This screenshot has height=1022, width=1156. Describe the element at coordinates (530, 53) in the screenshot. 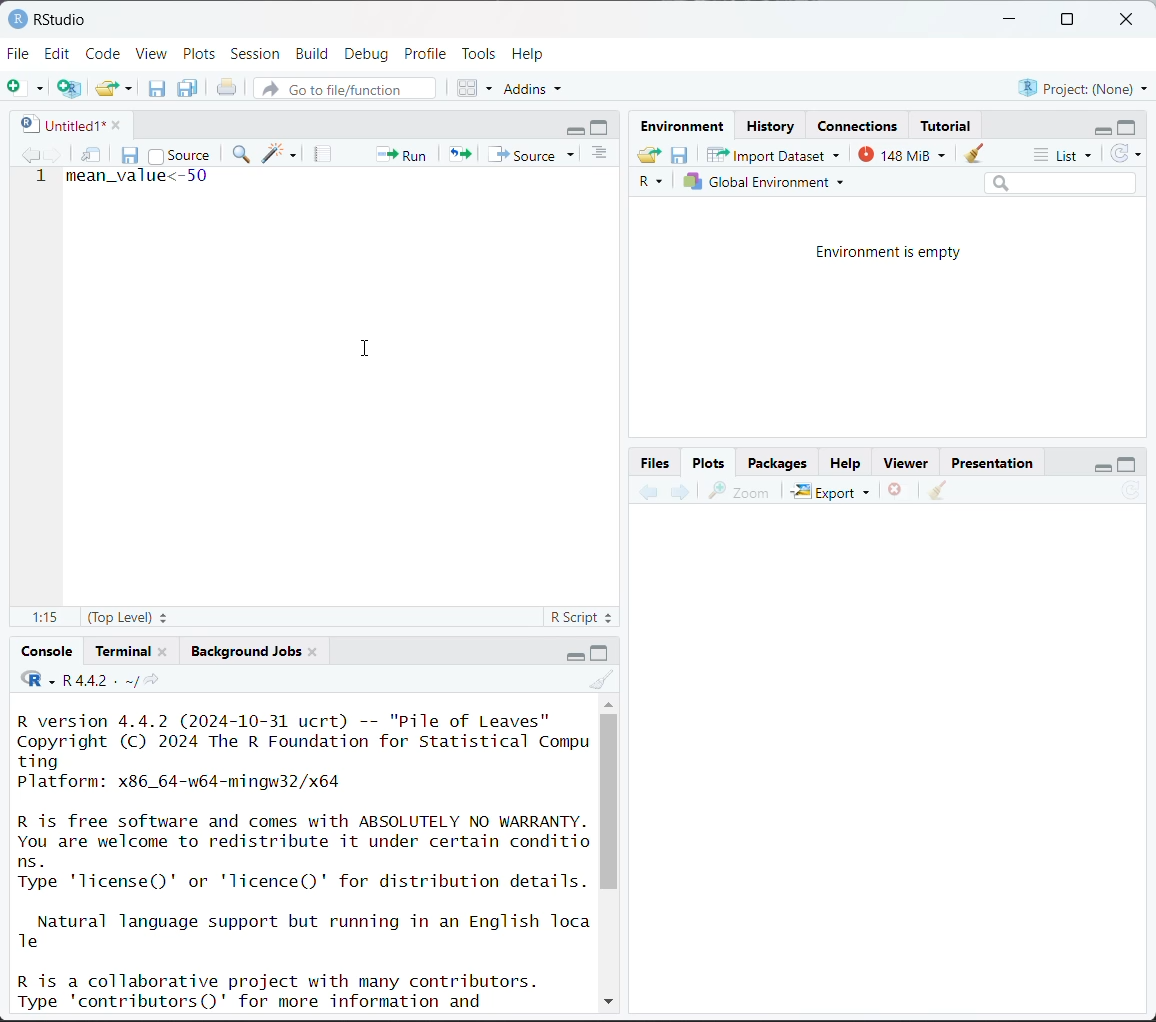

I see `Help` at that location.